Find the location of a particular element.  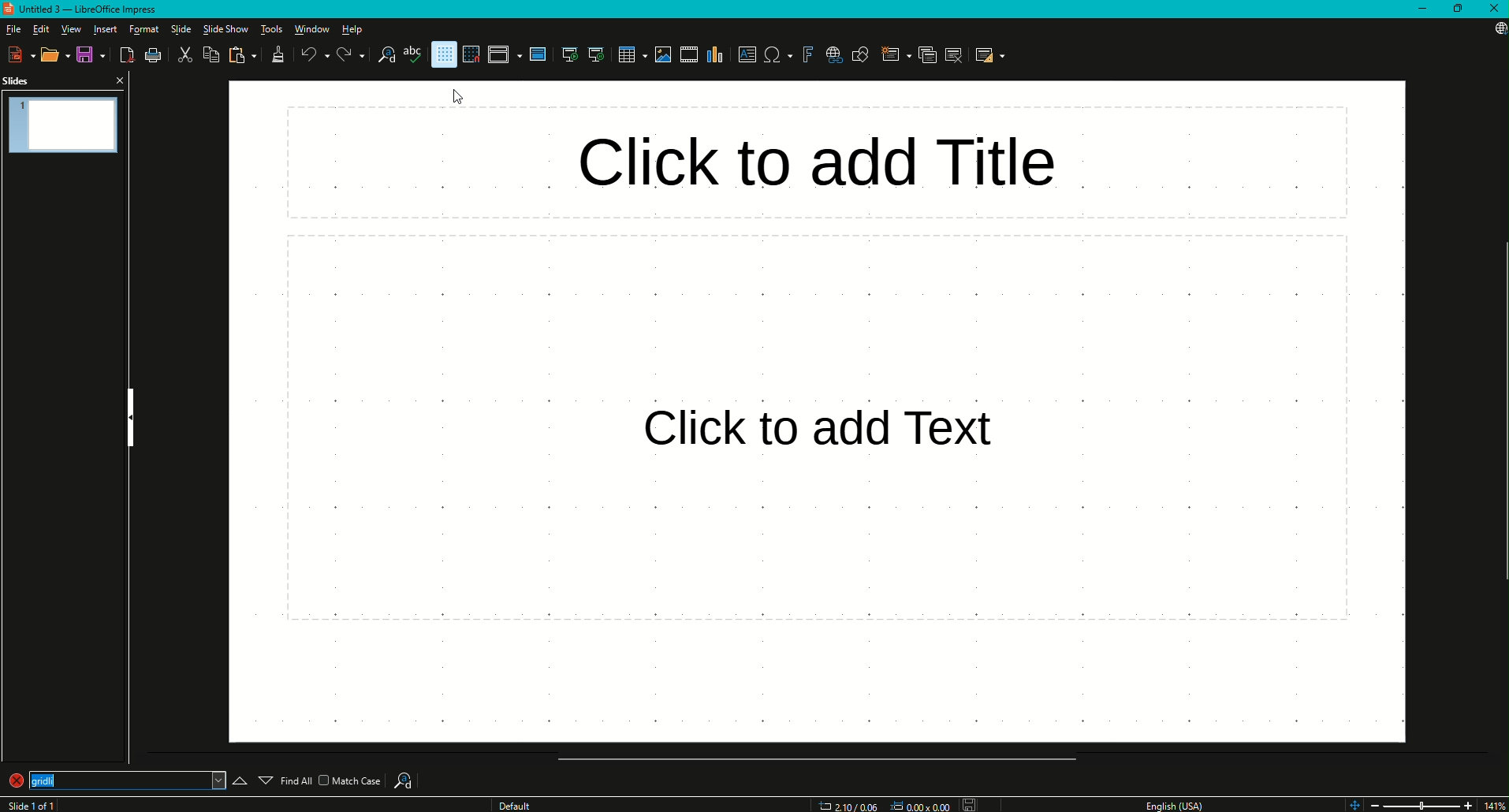

Cut is located at coordinates (184, 55).